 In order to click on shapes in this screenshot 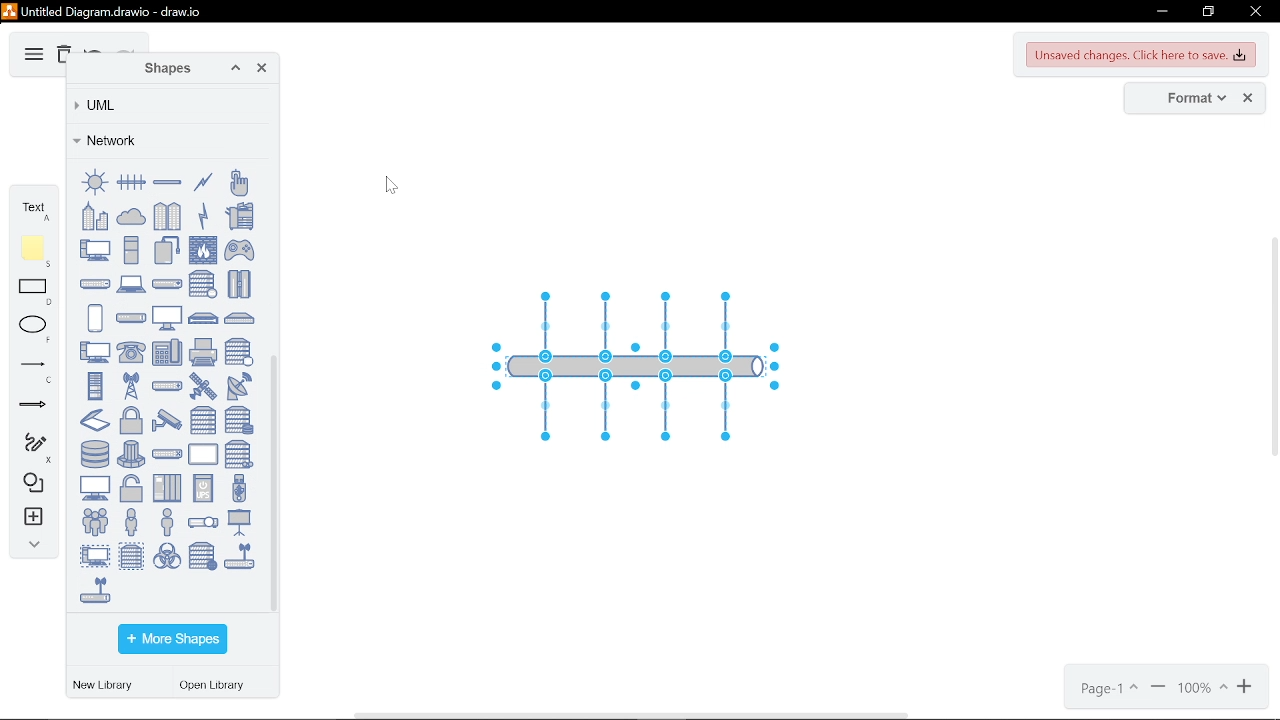, I will do `click(162, 69)`.